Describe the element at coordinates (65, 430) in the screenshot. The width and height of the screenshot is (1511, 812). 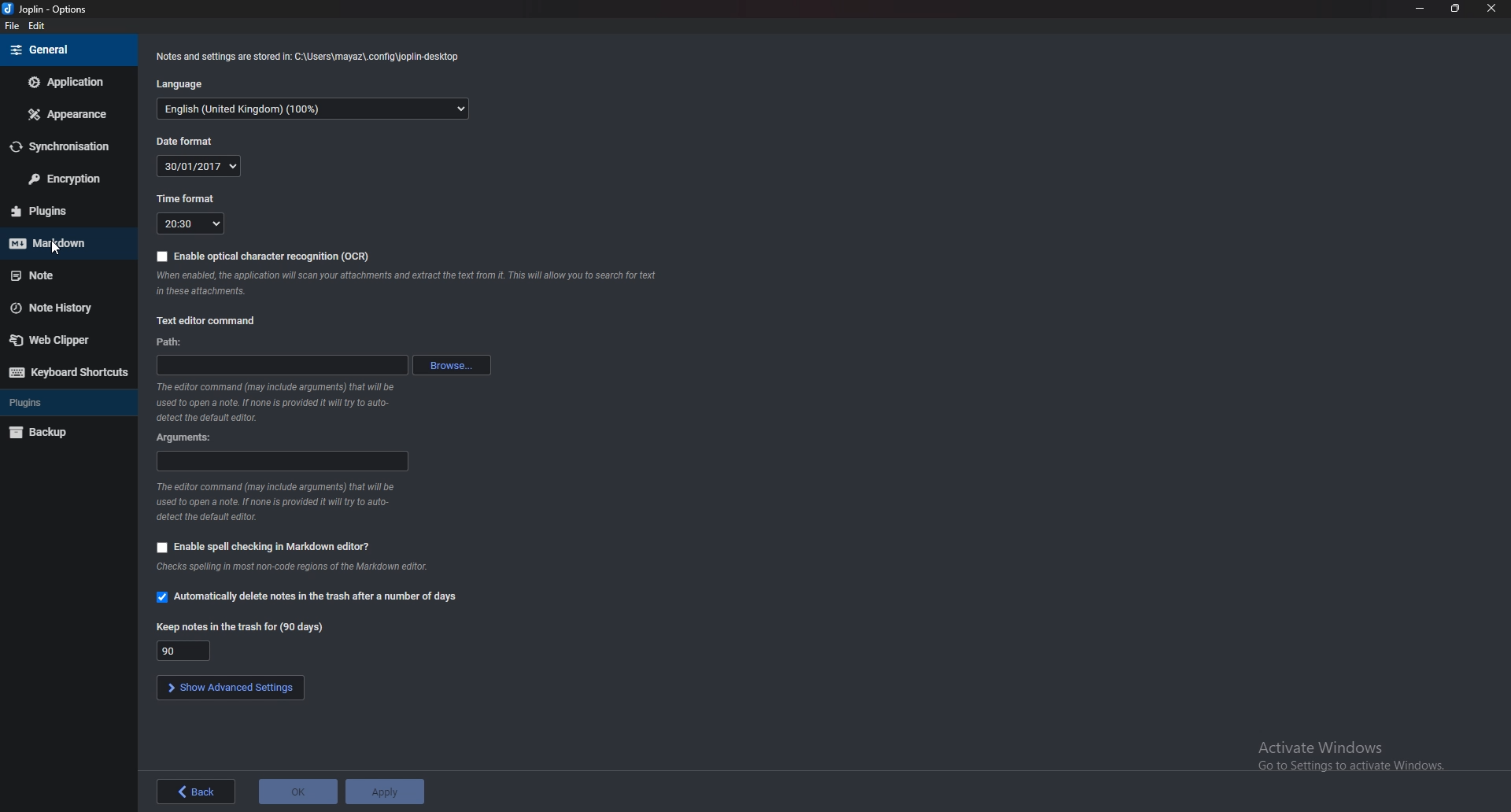
I see `backup` at that location.